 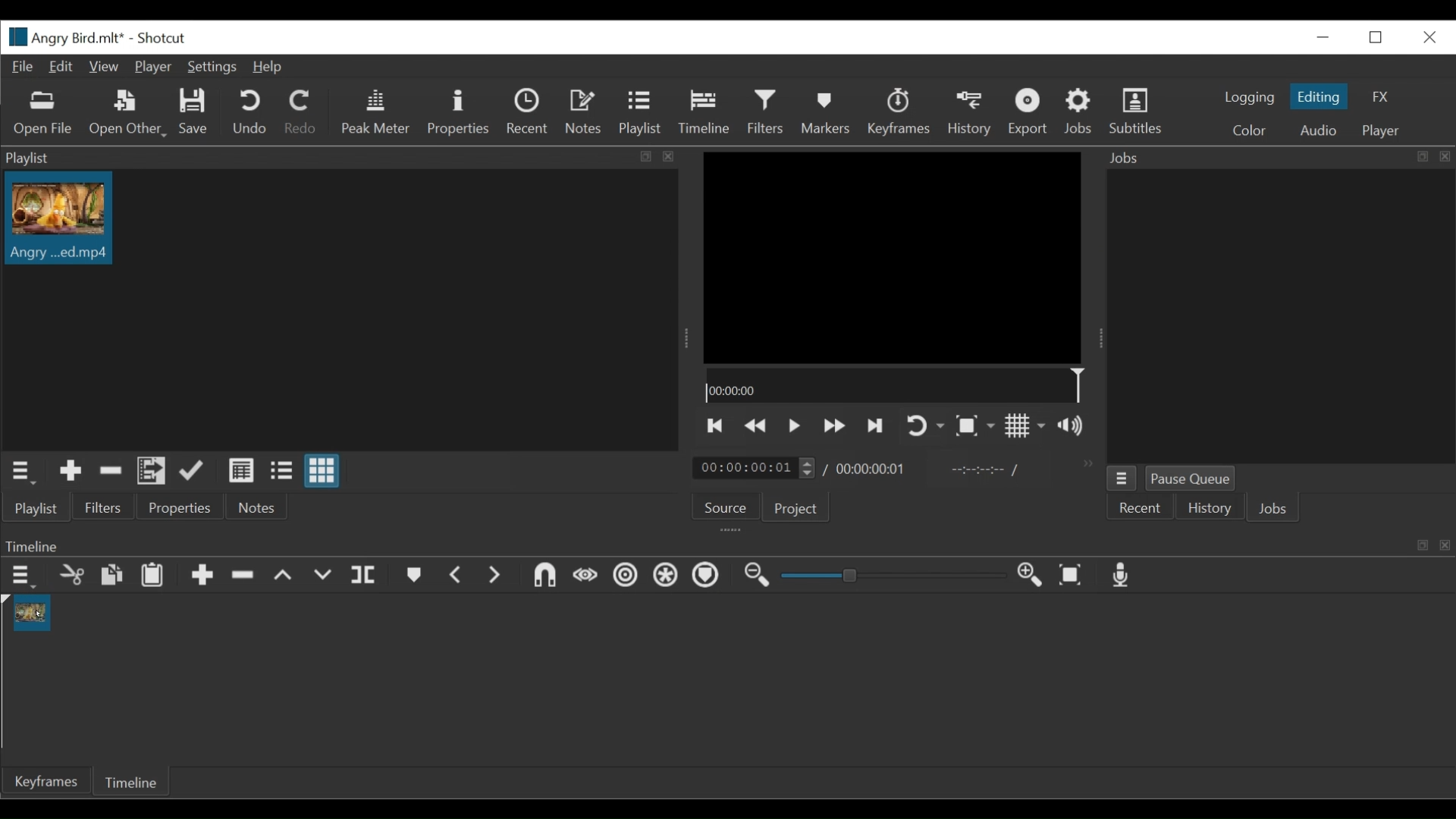 I want to click on Add the source to the playlist, so click(x=69, y=473).